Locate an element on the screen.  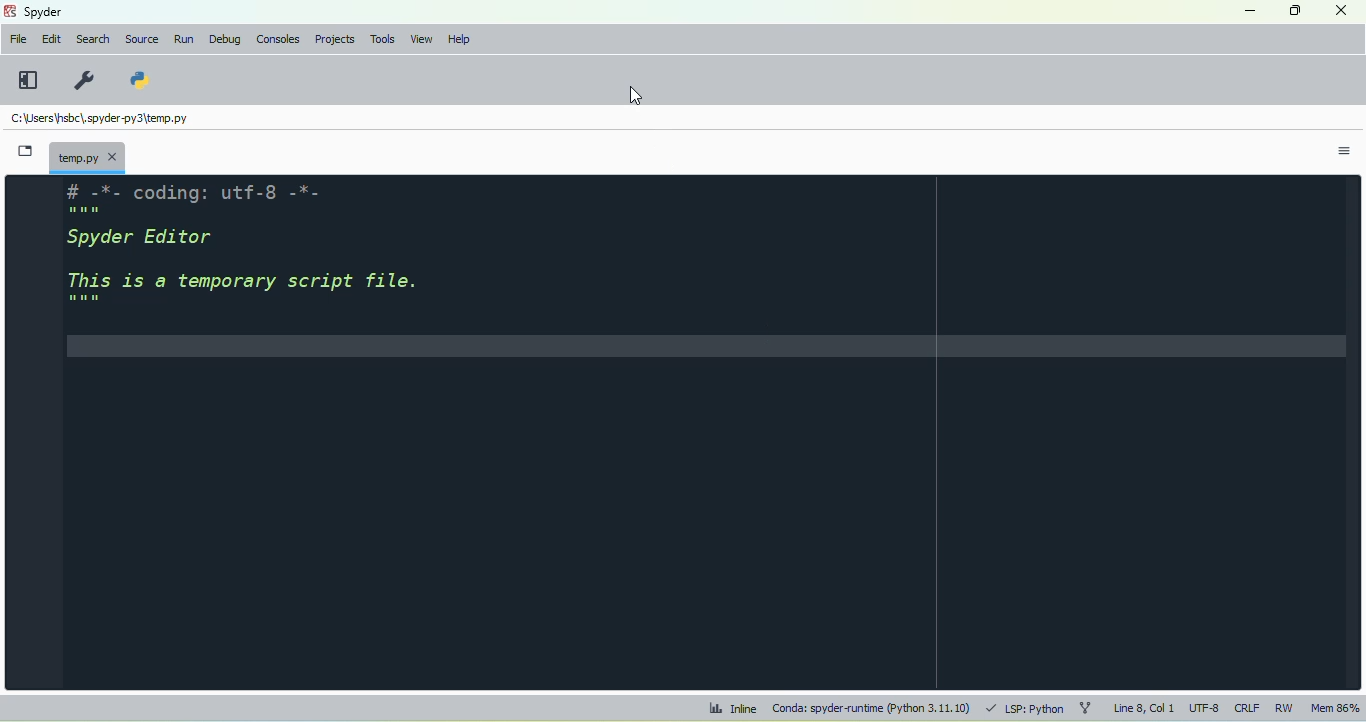
preferences  is located at coordinates (82, 79).